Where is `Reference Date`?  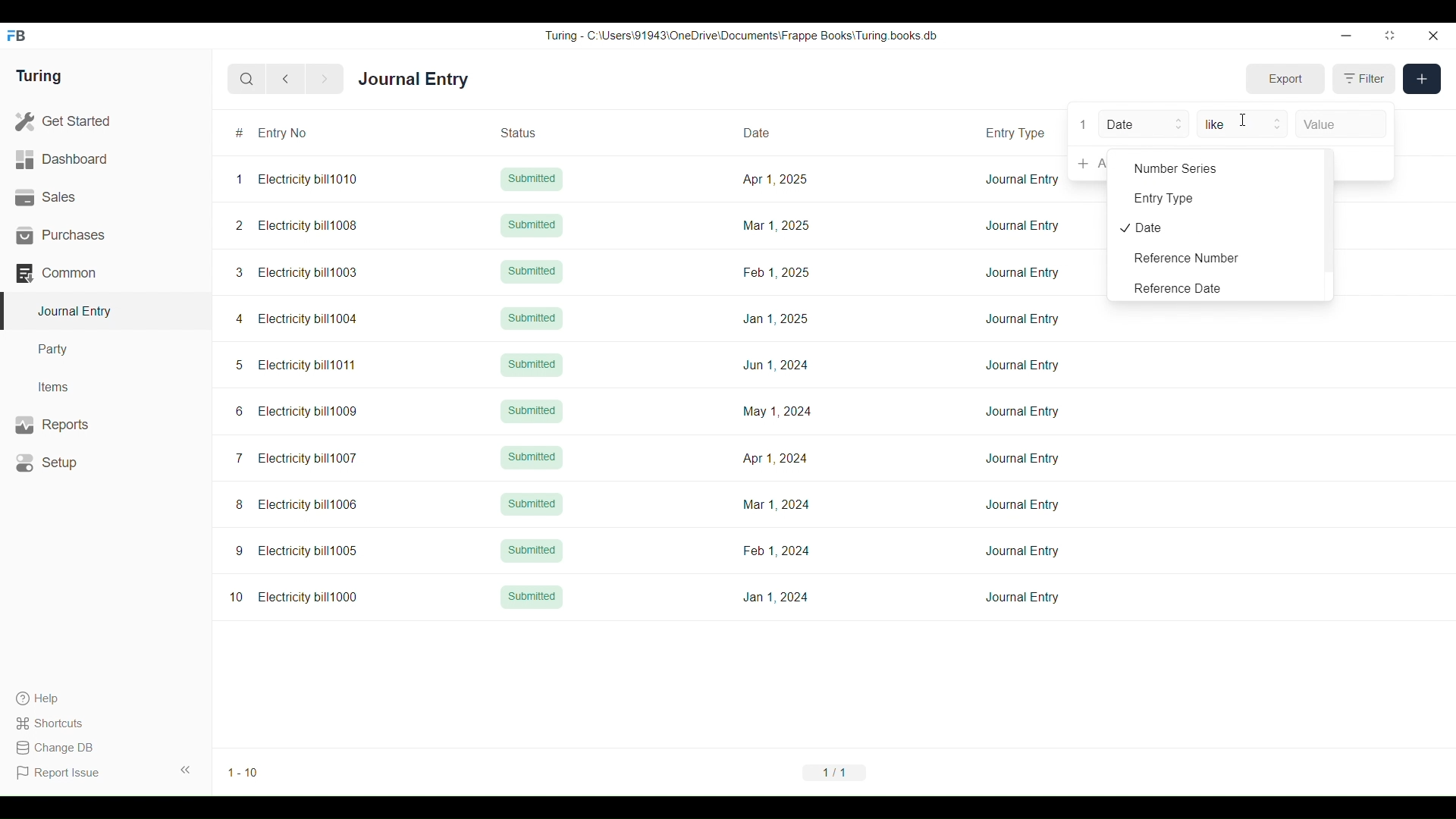
Reference Date is located at coordinates (1216, 287).